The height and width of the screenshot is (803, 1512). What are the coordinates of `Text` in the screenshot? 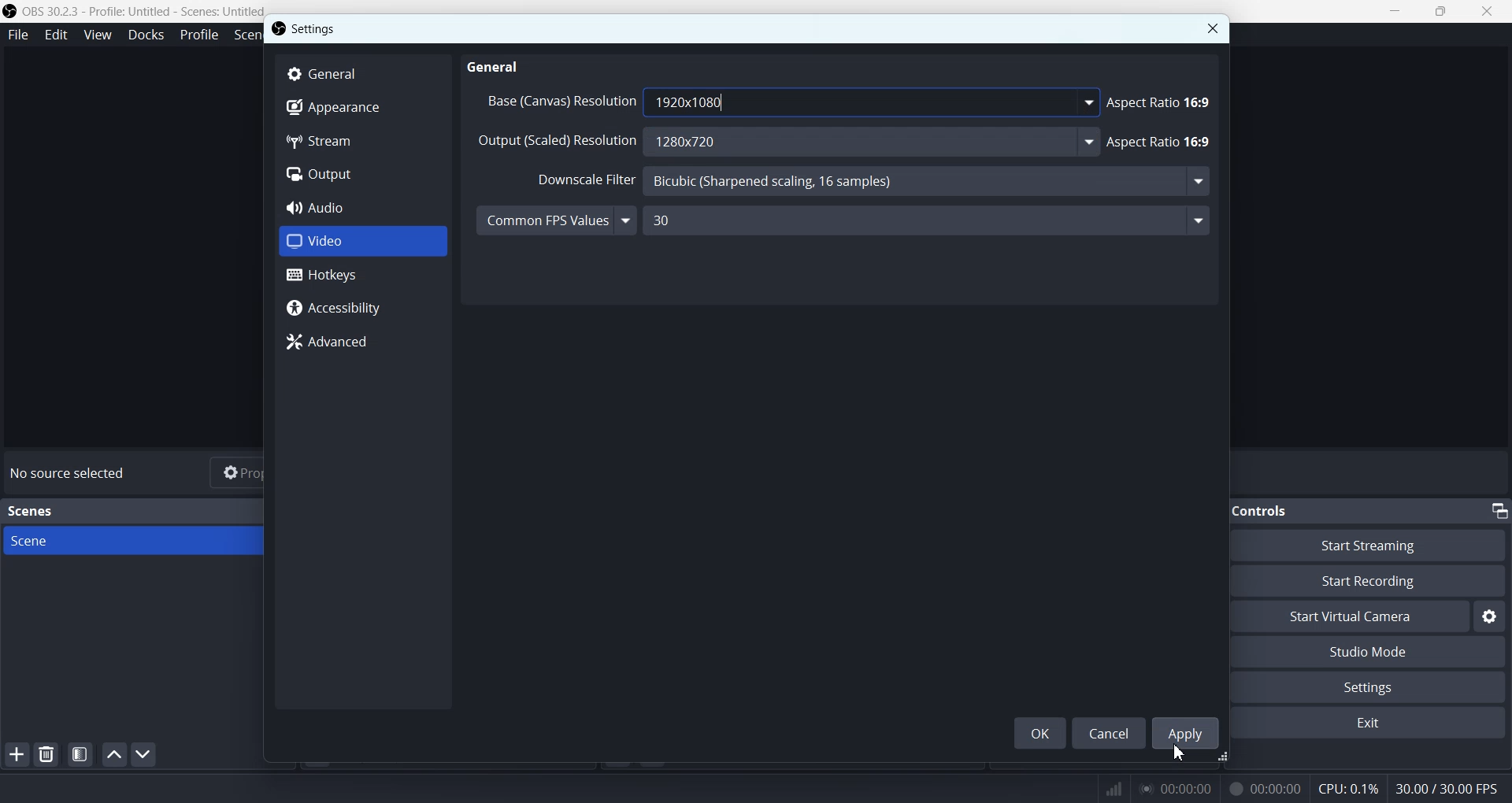 It's located at (1272, 510).